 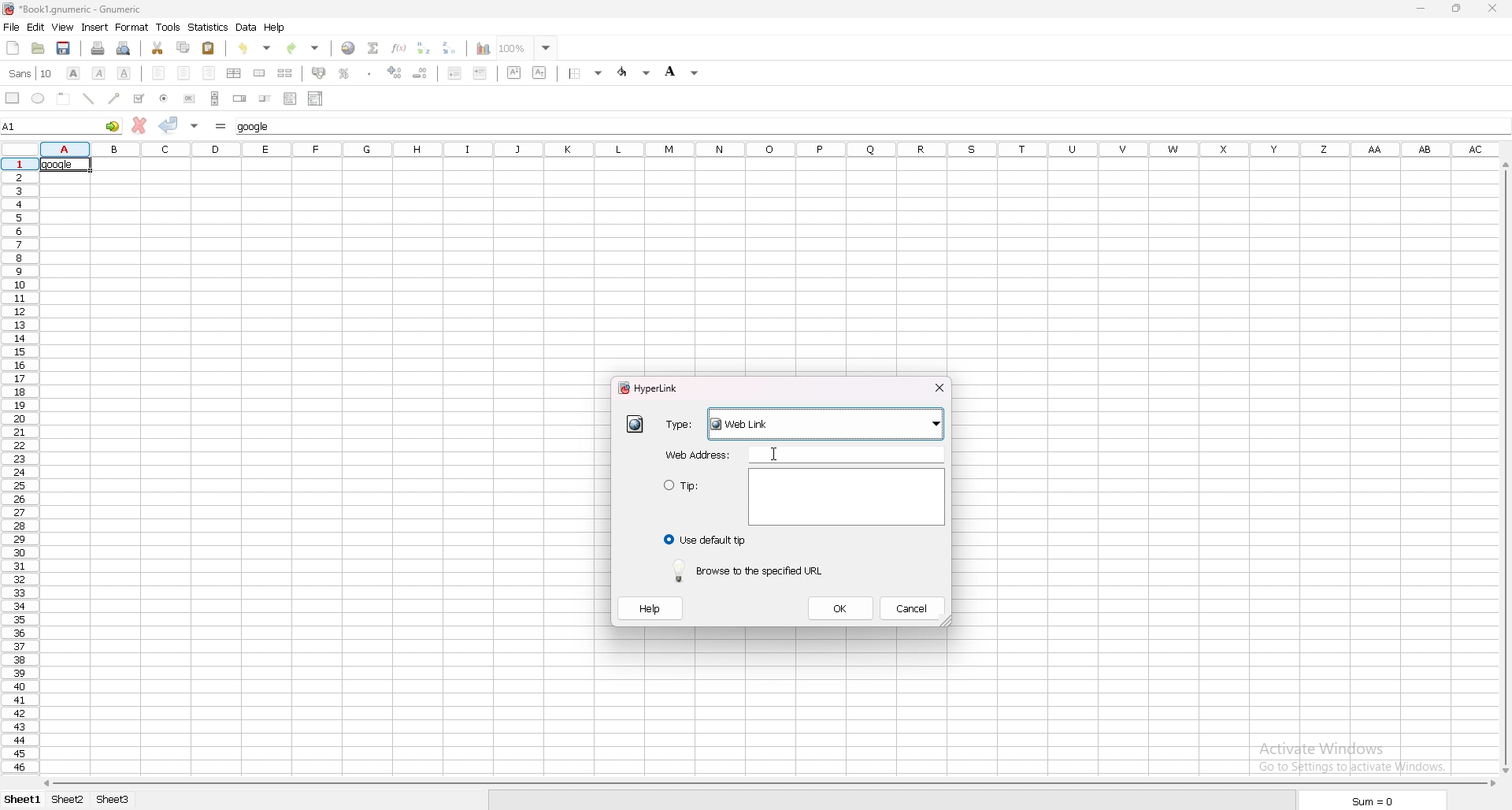 What do you see at coordinates (132, 27) in the screenshot?
I see `format` at bounding box center [132, 27].